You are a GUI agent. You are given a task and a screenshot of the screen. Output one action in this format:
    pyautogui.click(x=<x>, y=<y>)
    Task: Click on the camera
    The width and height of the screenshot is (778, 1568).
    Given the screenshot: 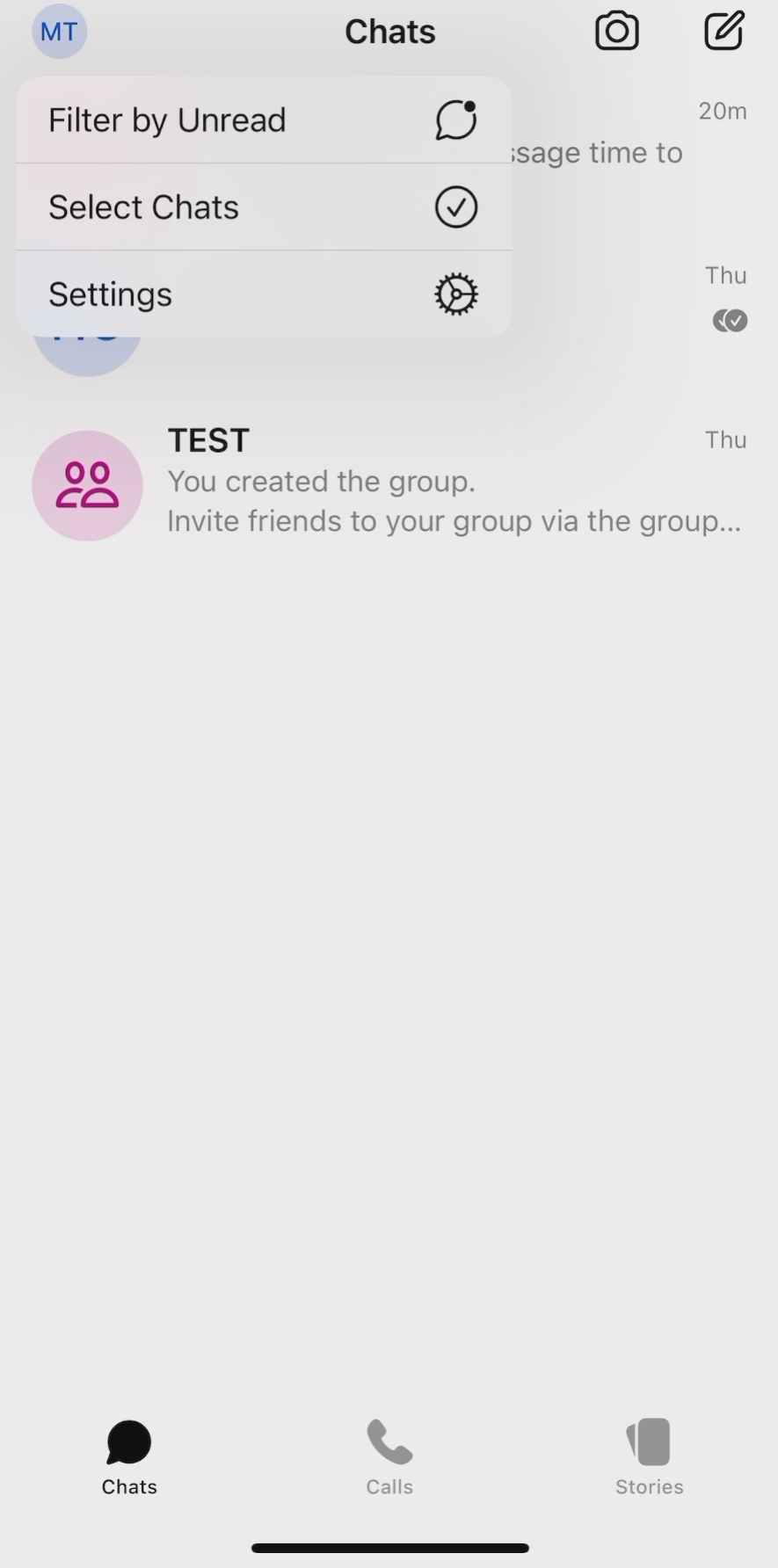 What is the action you would take?
    pyautogui.click(x=617, y=33)
    